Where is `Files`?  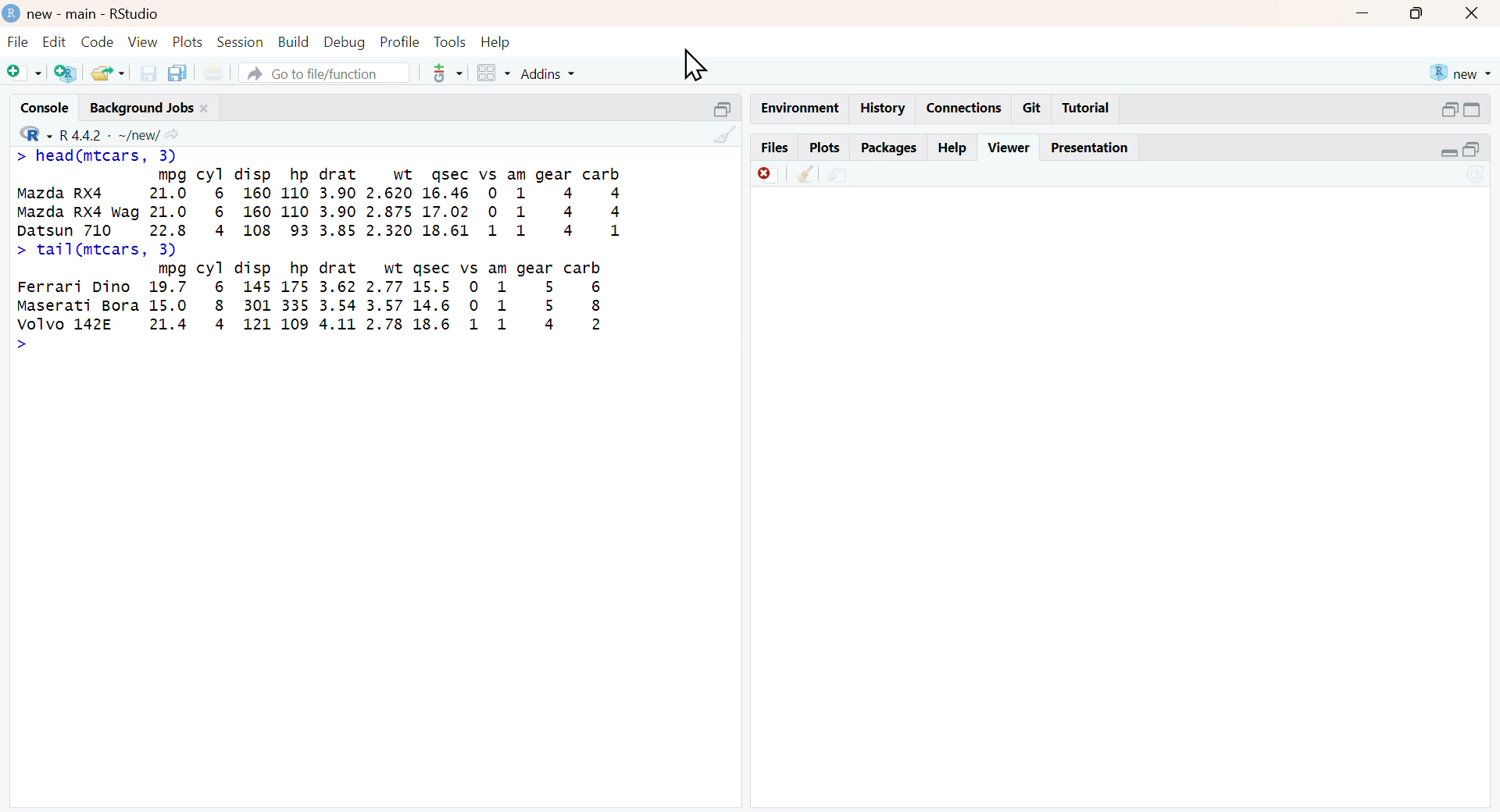 Files is located at coordinates (770, 146).